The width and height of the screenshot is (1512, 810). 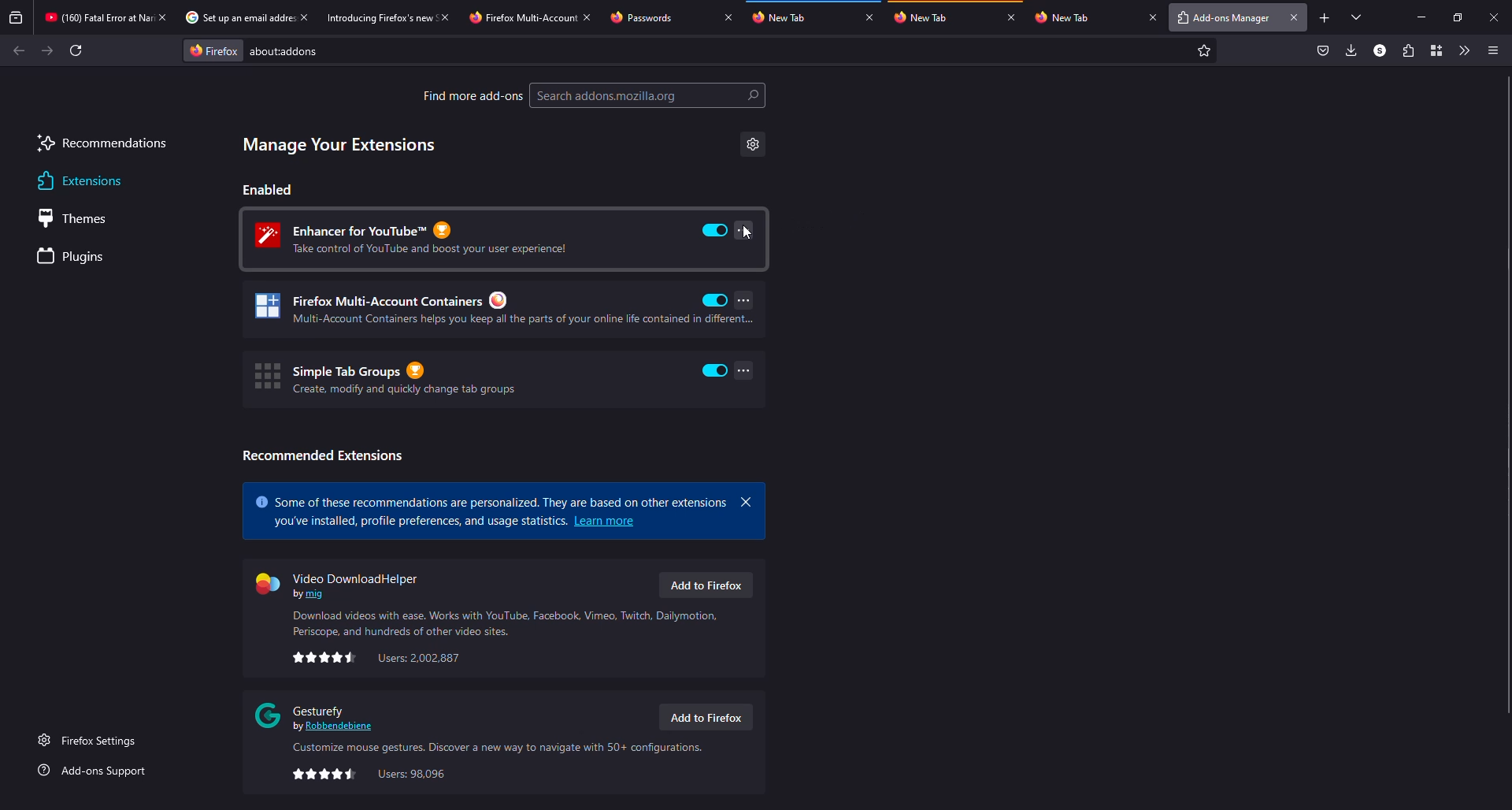 I want to click on close, so click(x=747, y=502).